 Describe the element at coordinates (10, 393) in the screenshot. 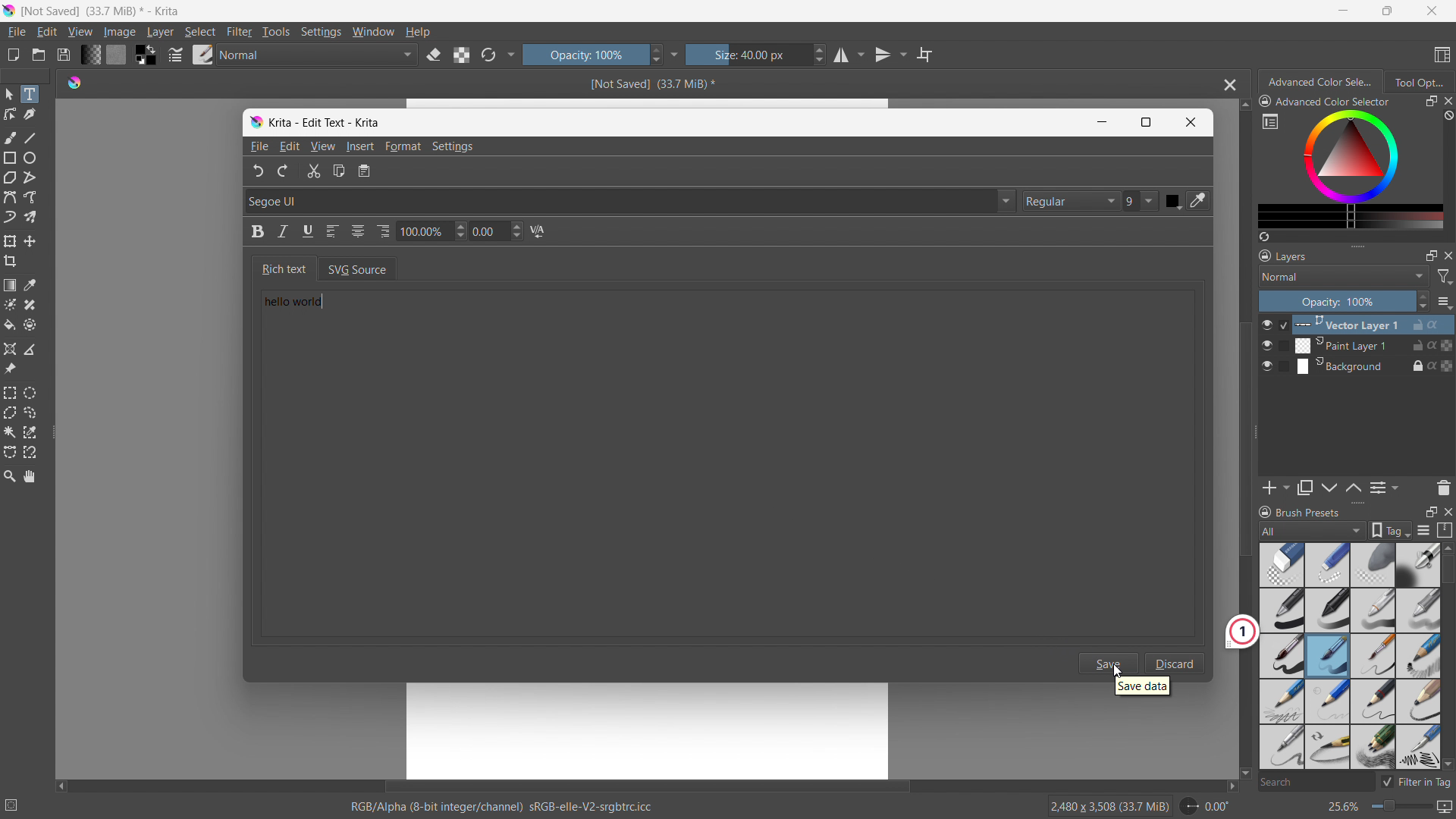

I see `rectangular selection tool` at that location.